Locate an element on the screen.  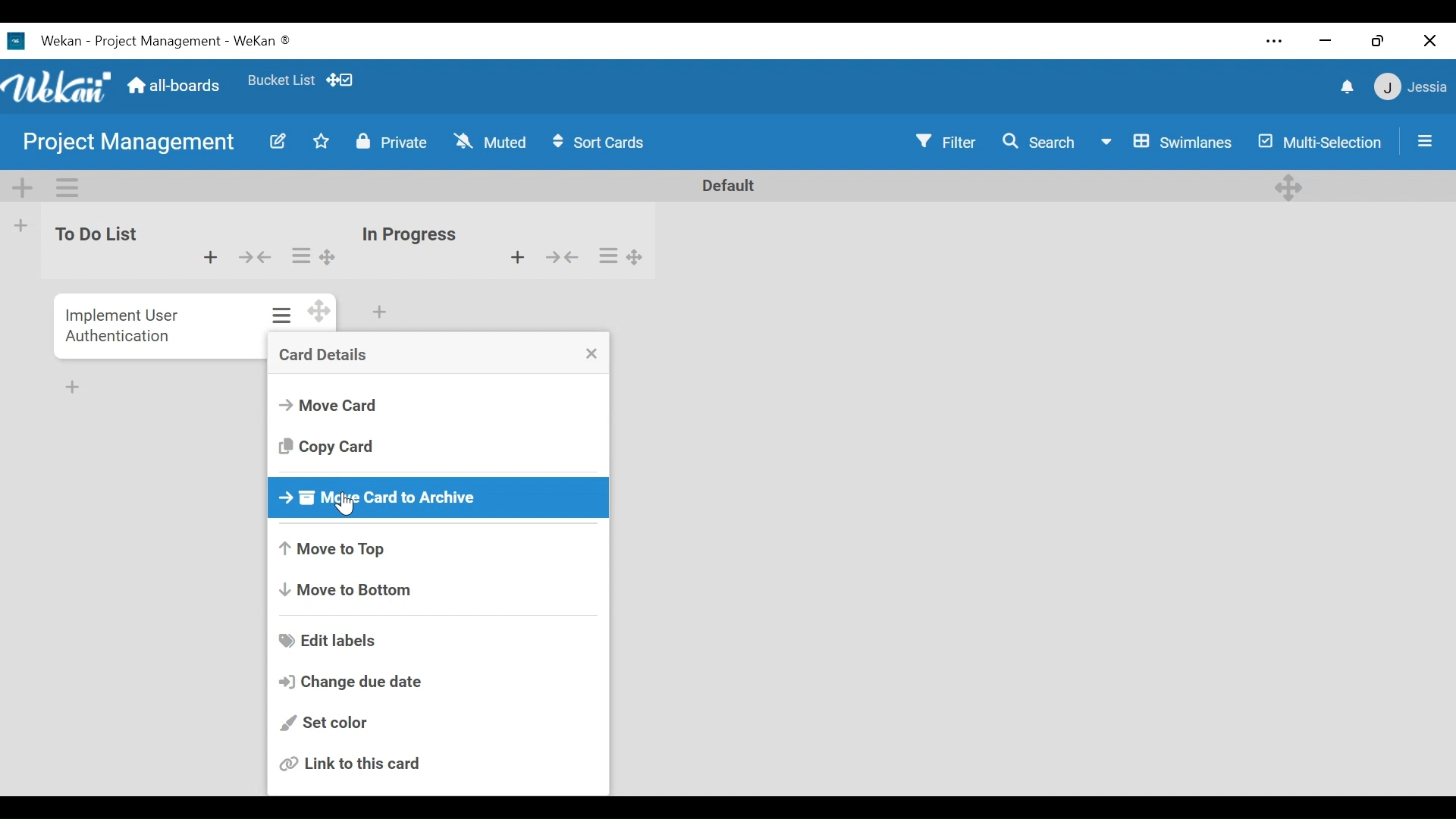
options is located at coordinates (277, 317).